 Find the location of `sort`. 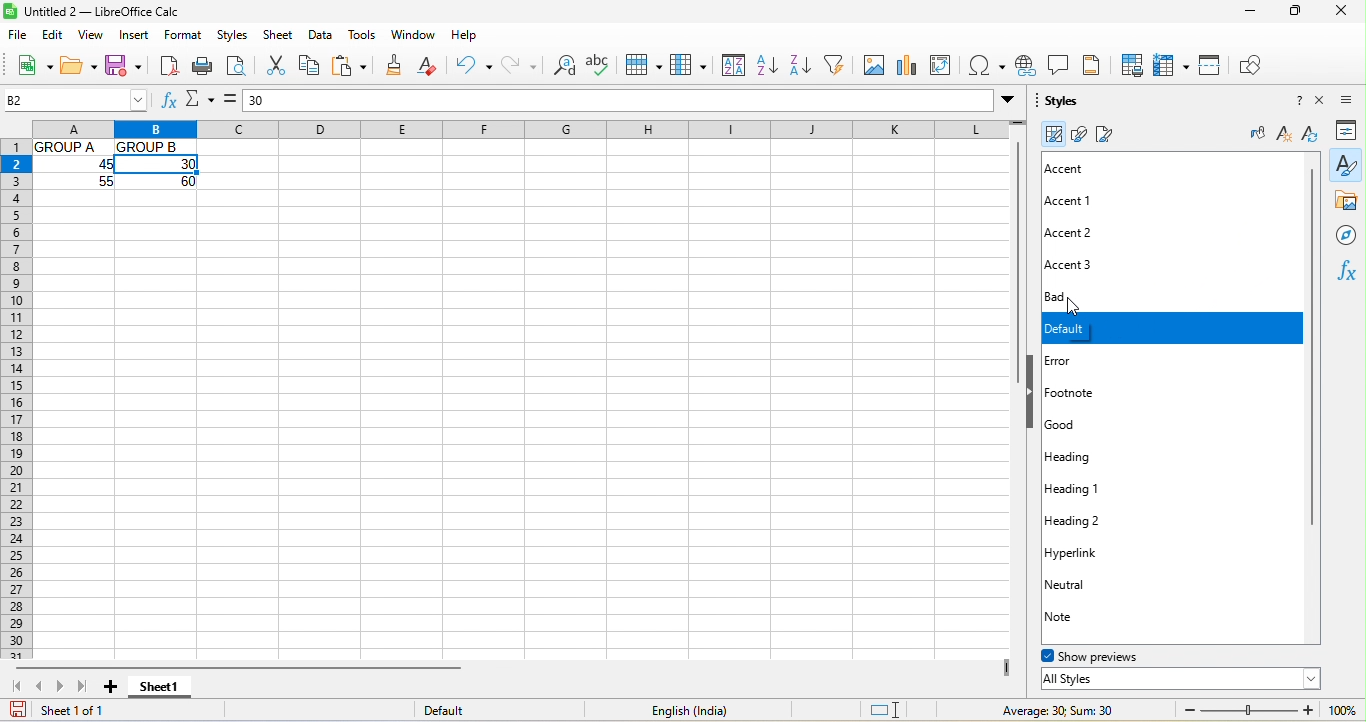

sort is located at coordinates (730, 66).